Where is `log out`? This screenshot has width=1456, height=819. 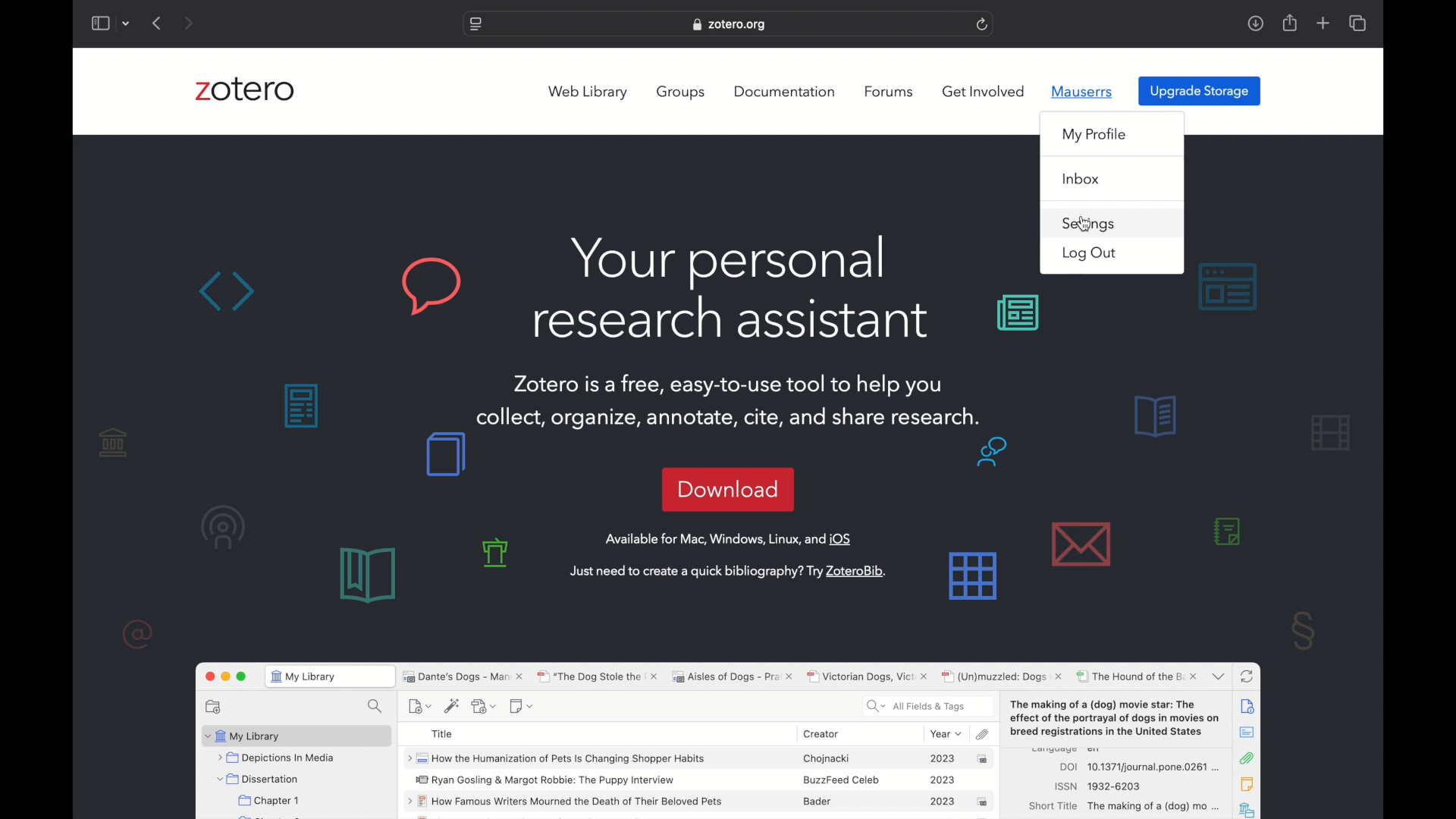 log out is located at coordinates (1090, 254).